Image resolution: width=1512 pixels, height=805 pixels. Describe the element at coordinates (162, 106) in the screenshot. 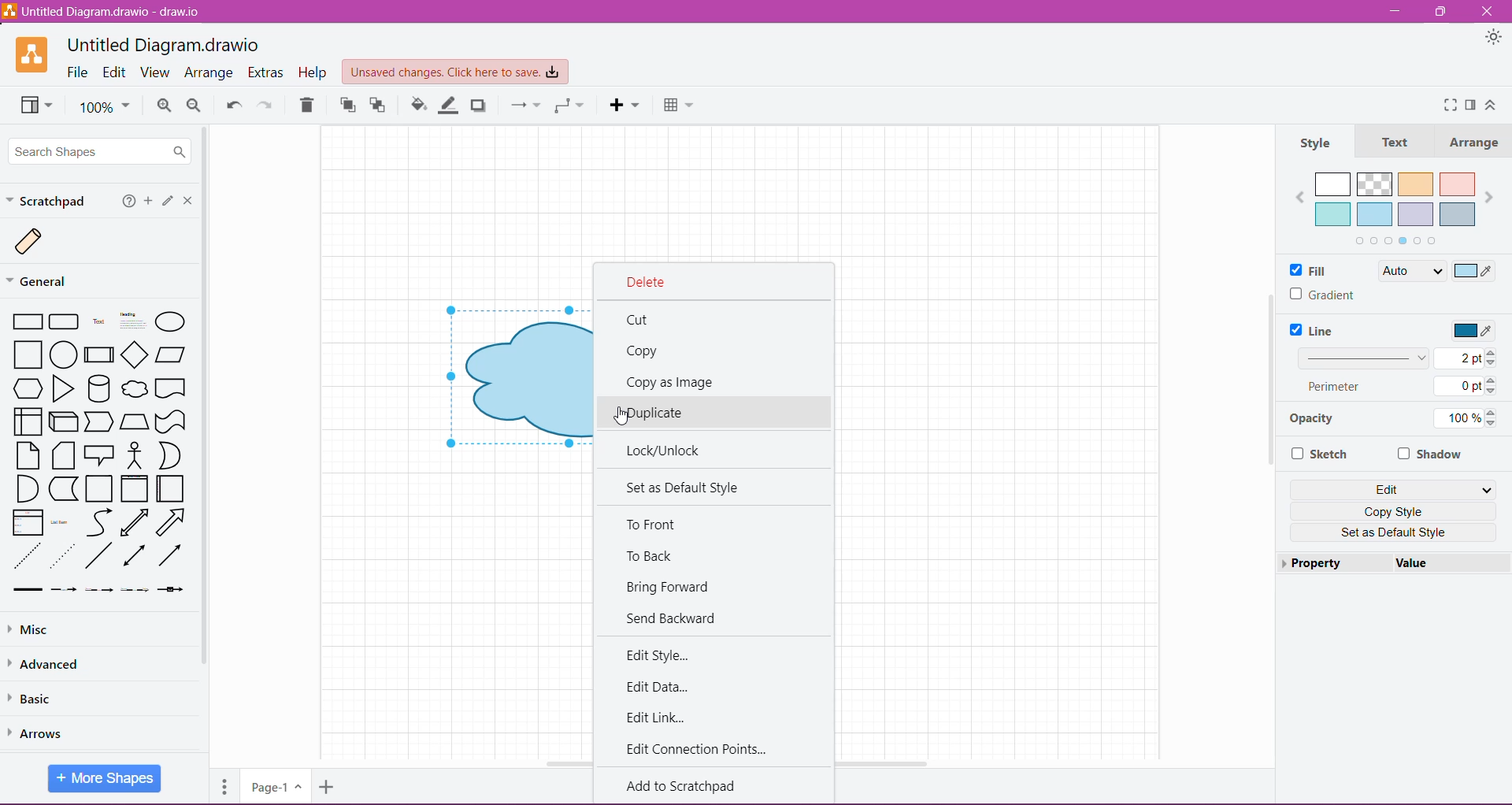

I see `Zoom In` at that location.